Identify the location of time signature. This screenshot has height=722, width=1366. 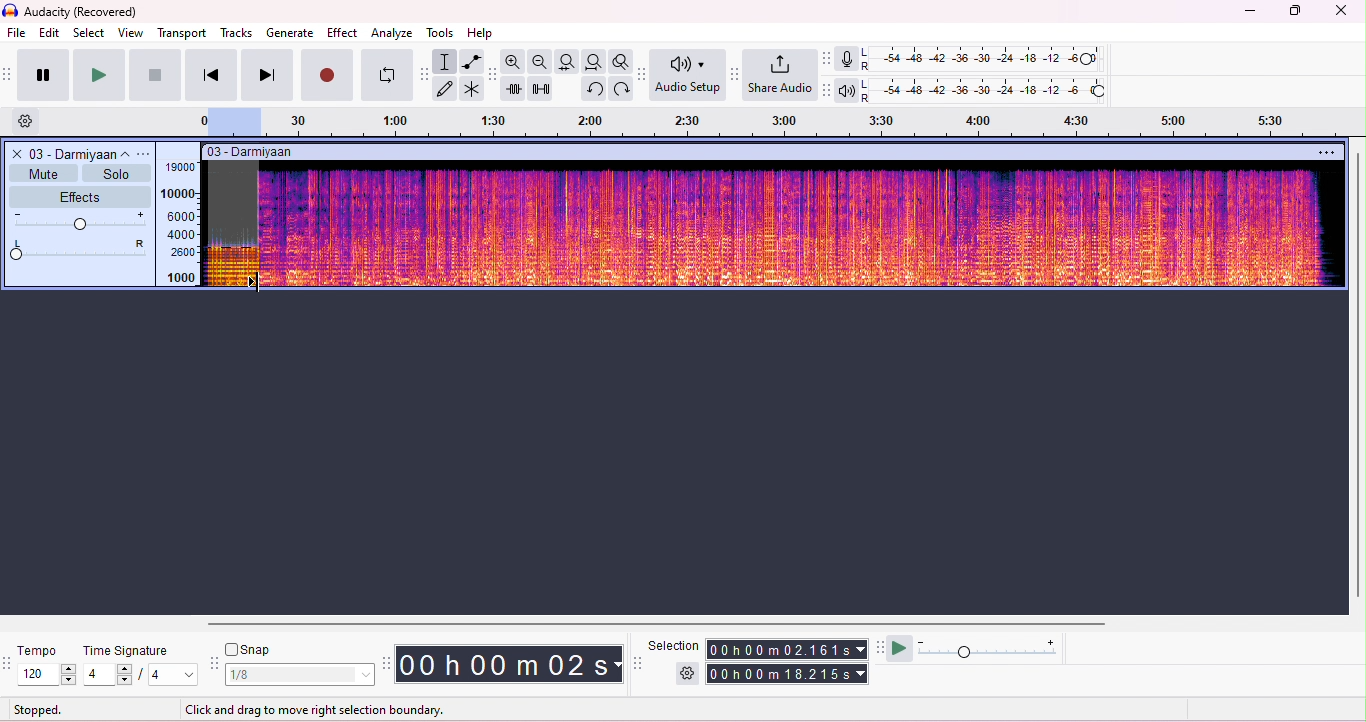
(124, 651).